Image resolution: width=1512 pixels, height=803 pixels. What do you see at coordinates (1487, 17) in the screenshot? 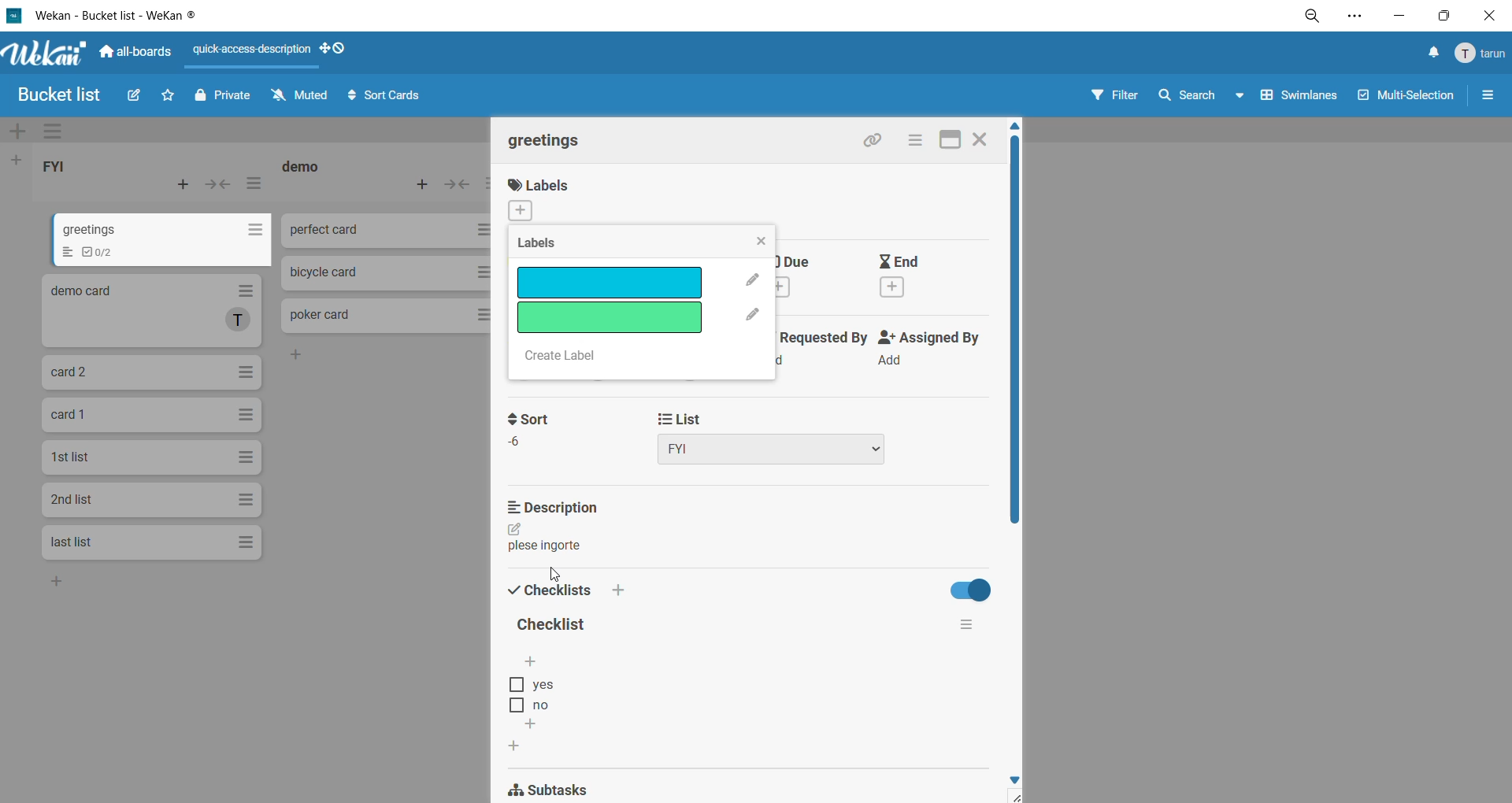
I see `close` at bounding box center [1487, 17].